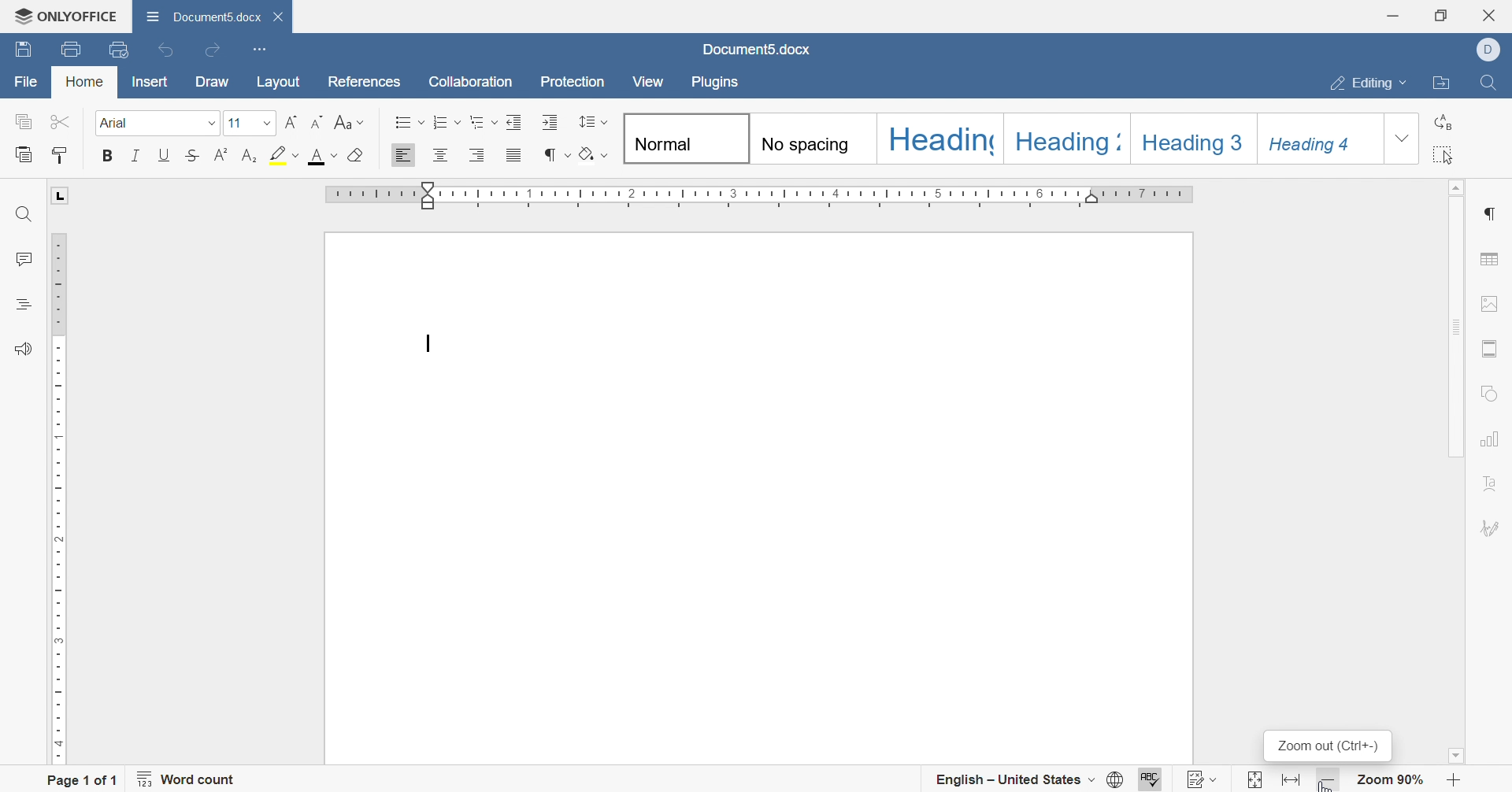 The height and width of the screenshot is (792, 1512). What do you see at coordinates (24, 81) in the screenshot?
I see `file` at bounding box center [24, 81].